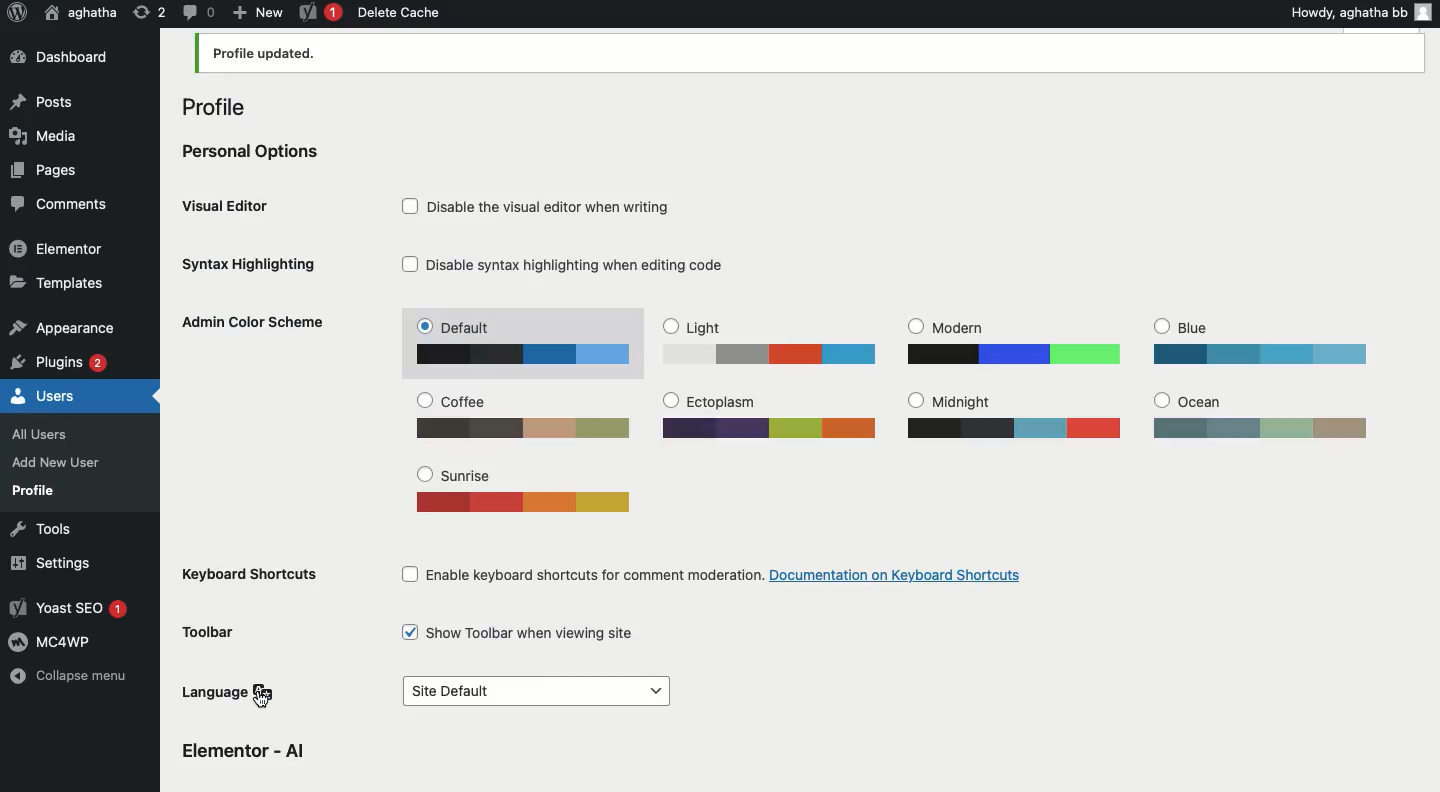  I want to click on MC4WP, so click(54, 640).